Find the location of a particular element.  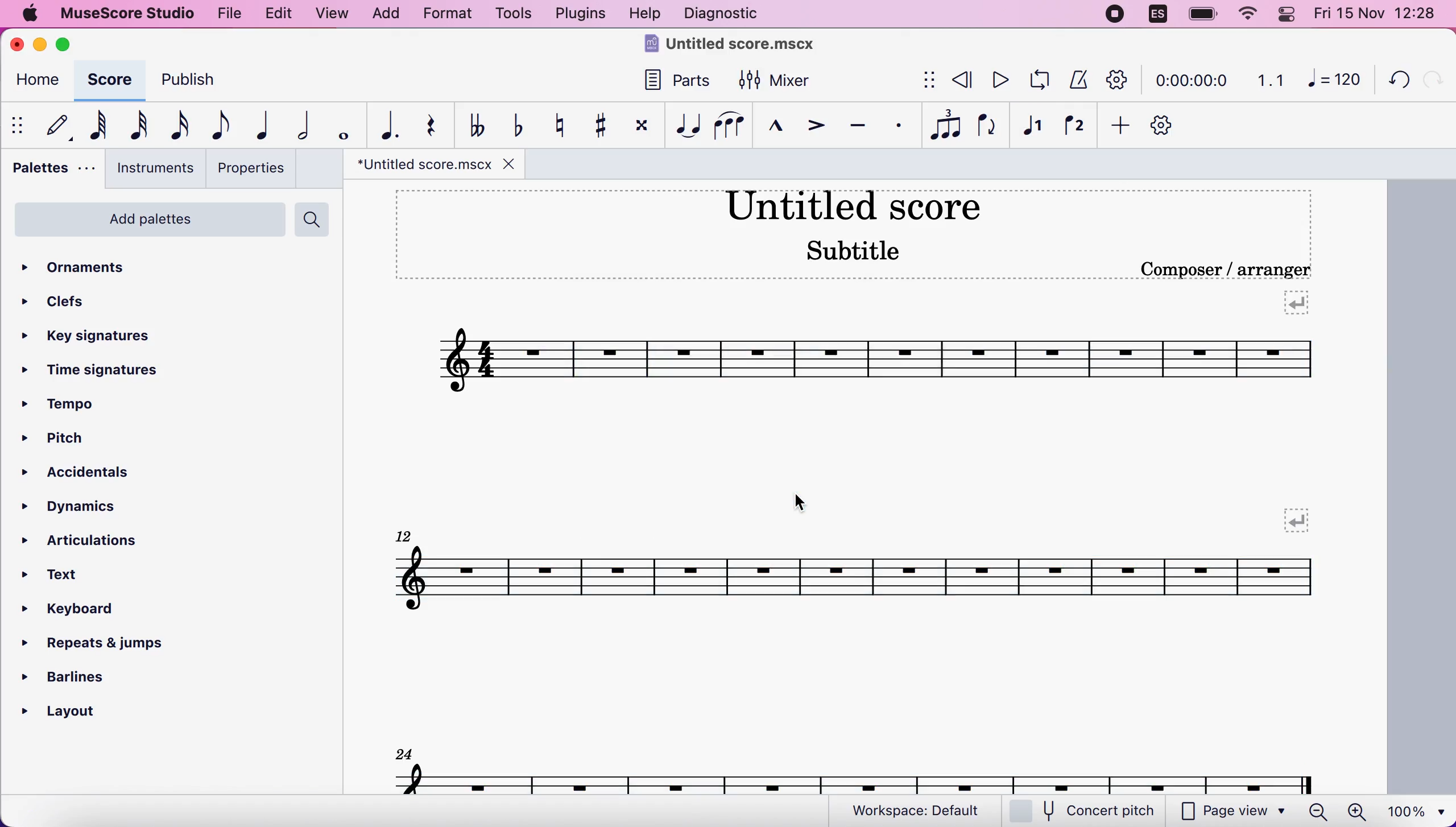

articulations is located at coordinates (89, 539).